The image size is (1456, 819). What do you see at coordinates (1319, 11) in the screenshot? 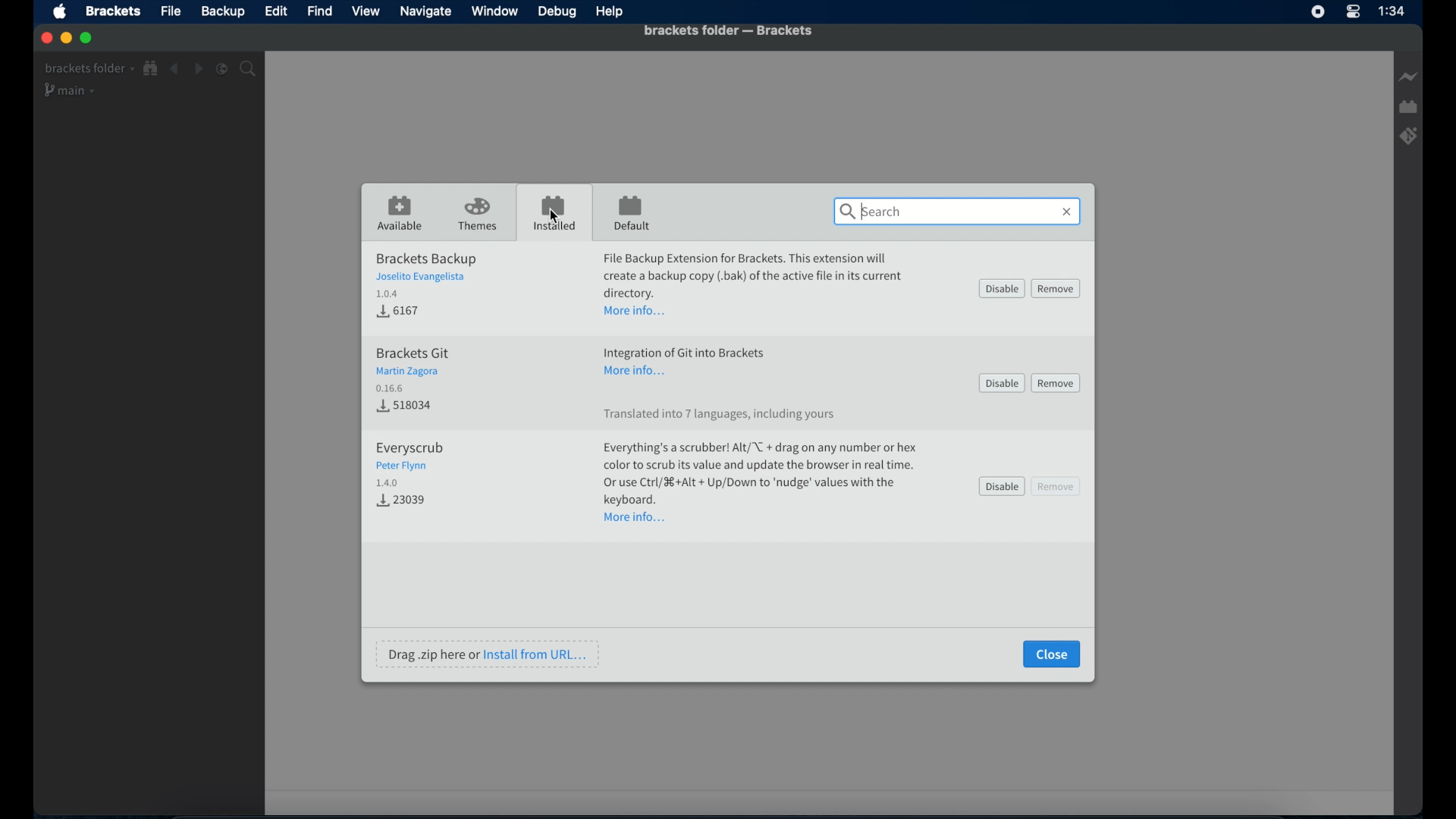
I see `Screen recorder icon` at bounding box center [1319, 11].